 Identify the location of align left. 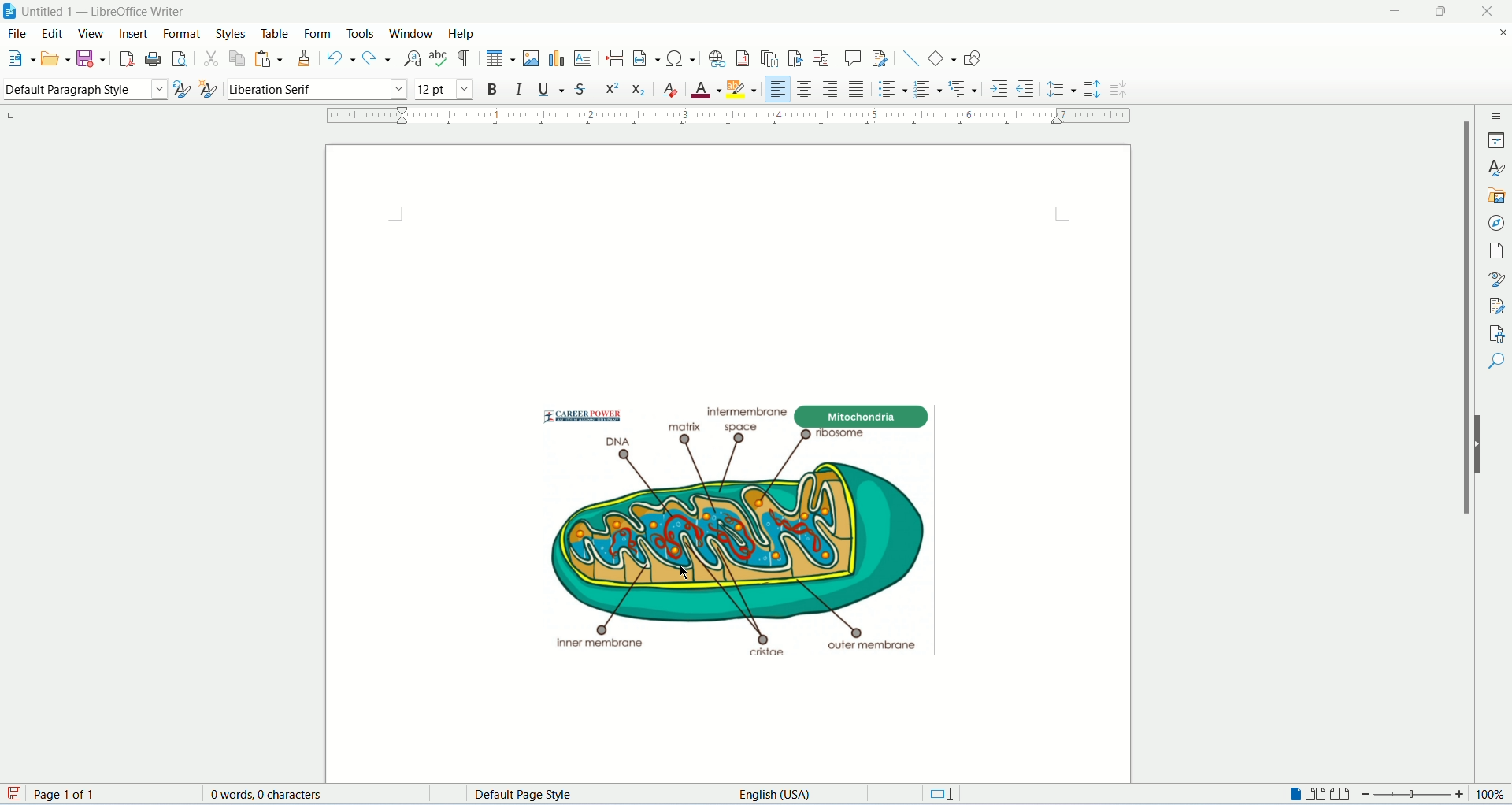
(779, 89).